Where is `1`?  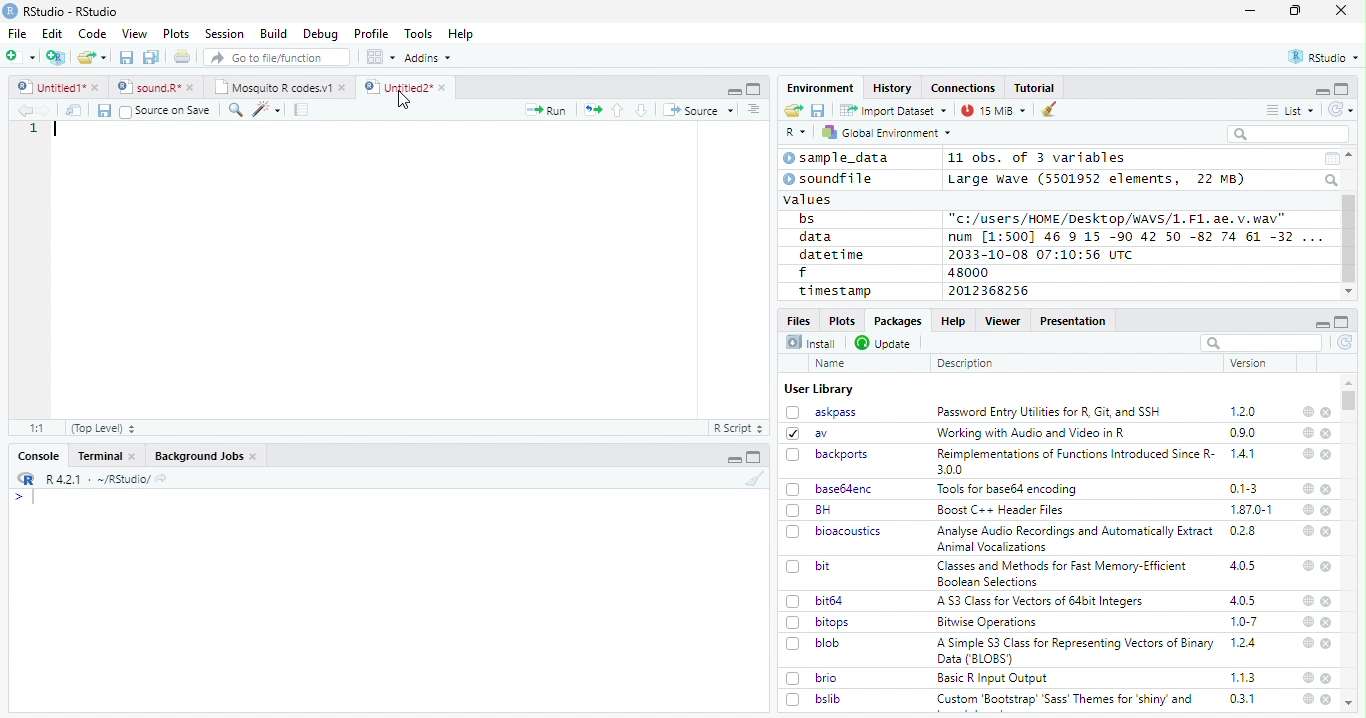 1 is located at coordinates (33, 129).